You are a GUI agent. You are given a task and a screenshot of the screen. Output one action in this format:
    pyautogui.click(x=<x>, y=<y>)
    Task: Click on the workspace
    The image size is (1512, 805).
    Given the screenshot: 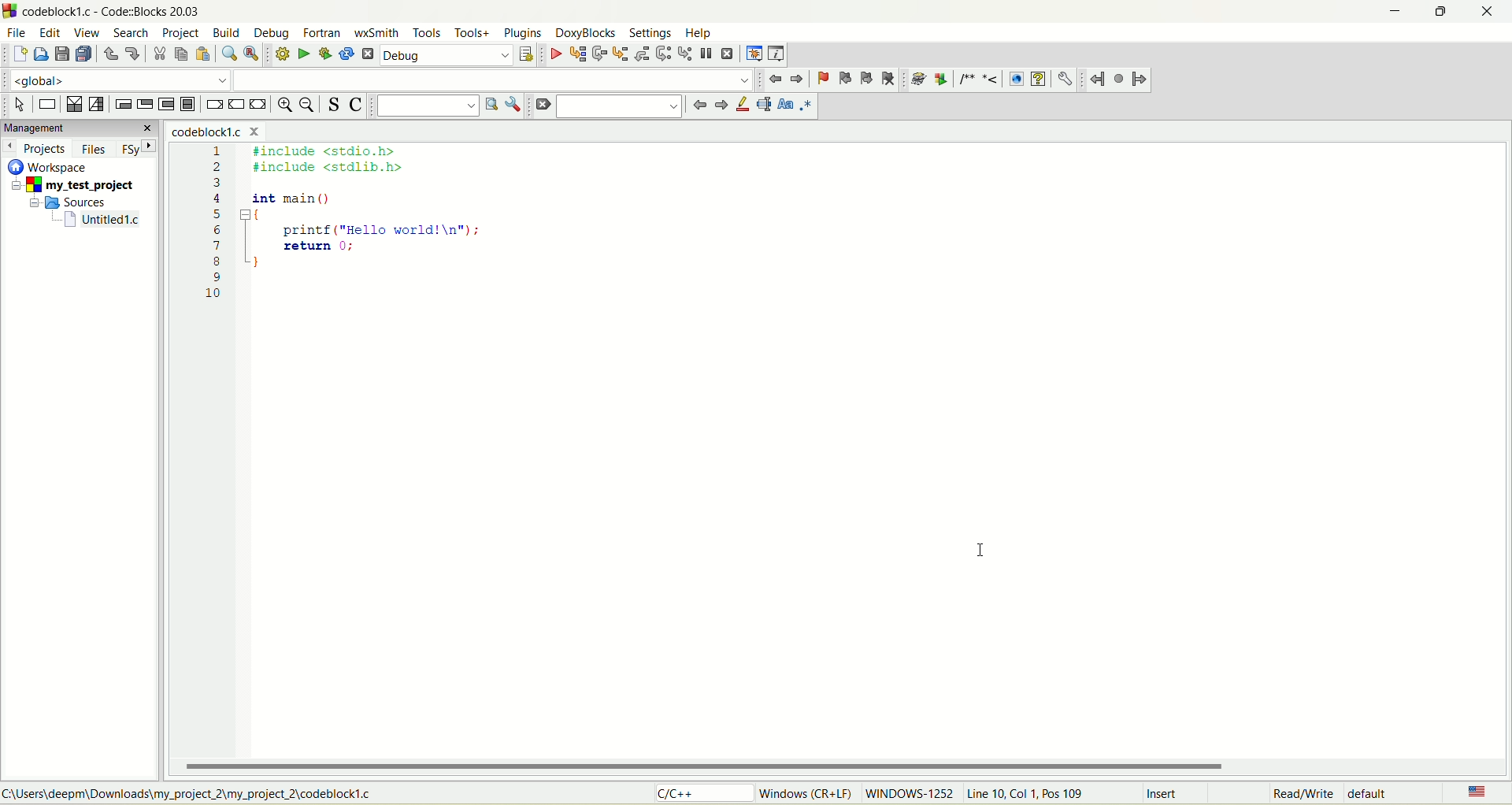 What is the action you would take?
    pyautogui.click(x=51, y=166)
    